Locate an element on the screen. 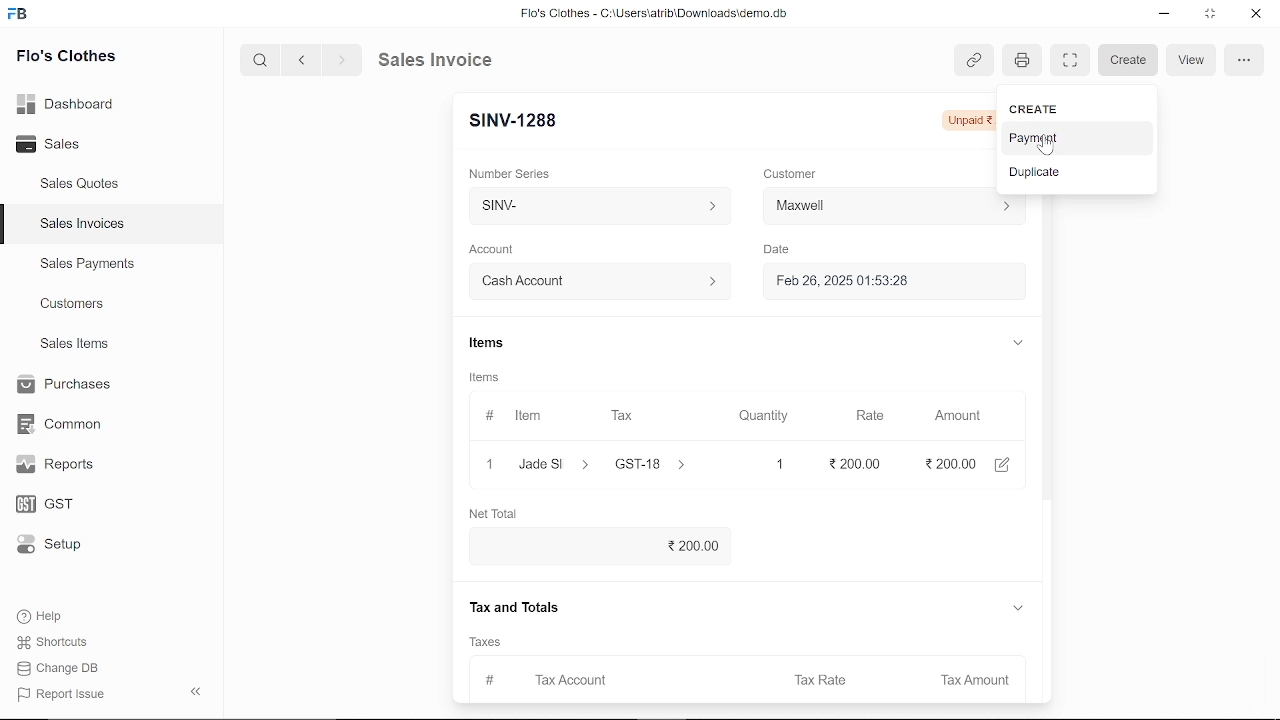 This screenshot has height=720, width=1280. previous is located at coordinates (302, 59).